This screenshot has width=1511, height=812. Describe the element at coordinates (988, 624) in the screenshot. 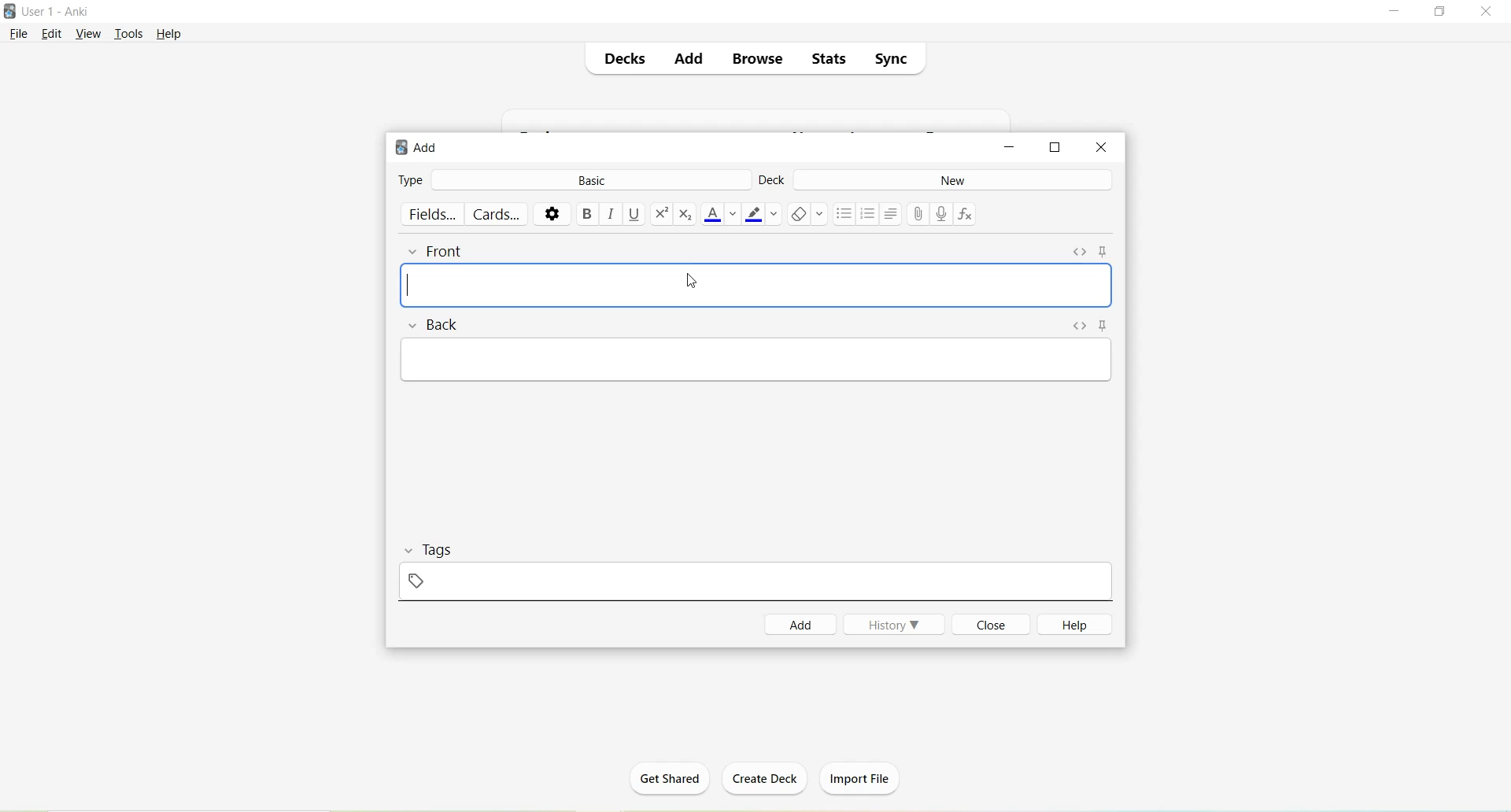

I see `Close` at that location.